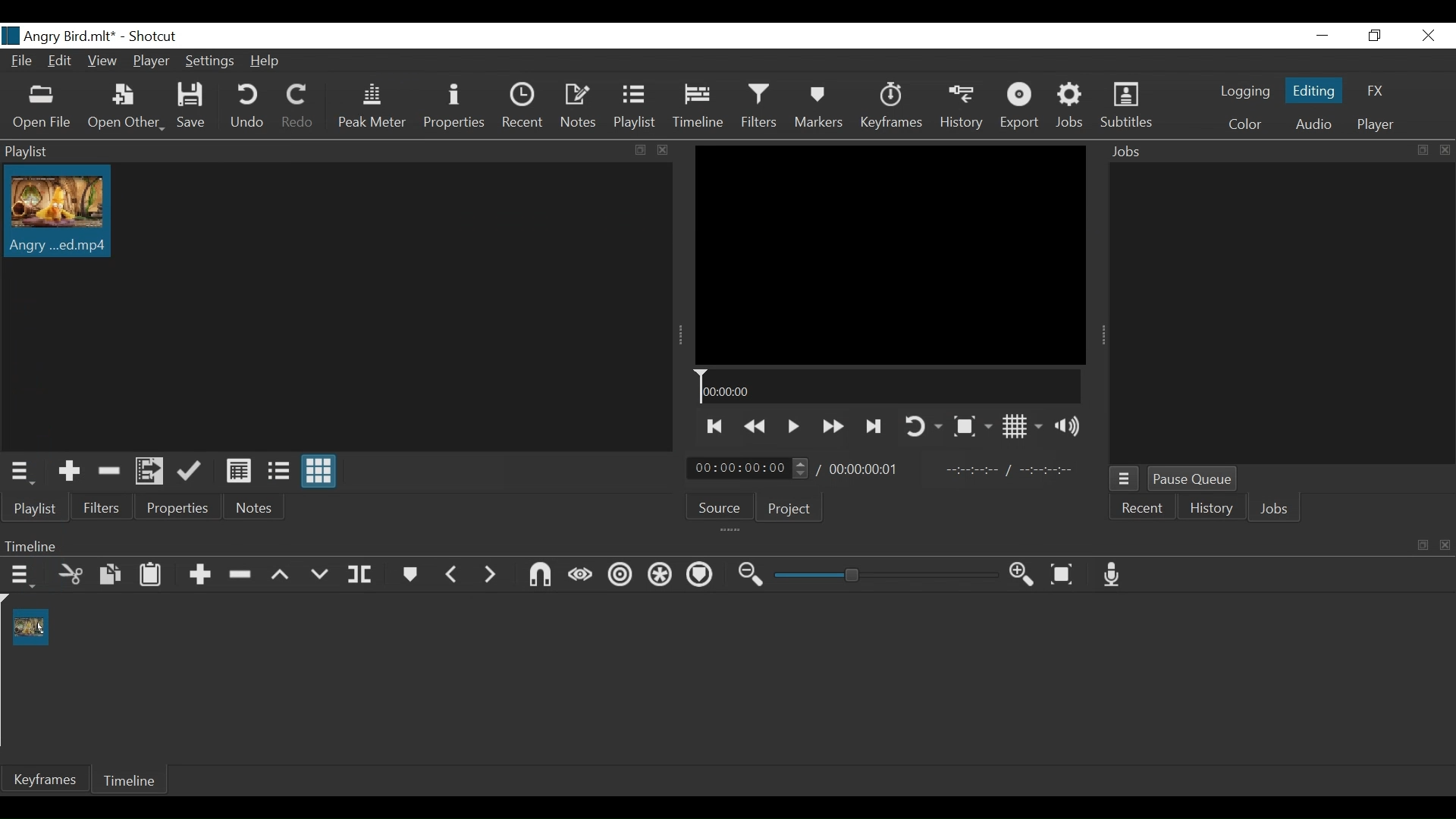 The height and width of the screenshot is (819, 1456). Describe the element at coordinates (239, 575) in the screenshot. I see `Ripple Delete` at that location.